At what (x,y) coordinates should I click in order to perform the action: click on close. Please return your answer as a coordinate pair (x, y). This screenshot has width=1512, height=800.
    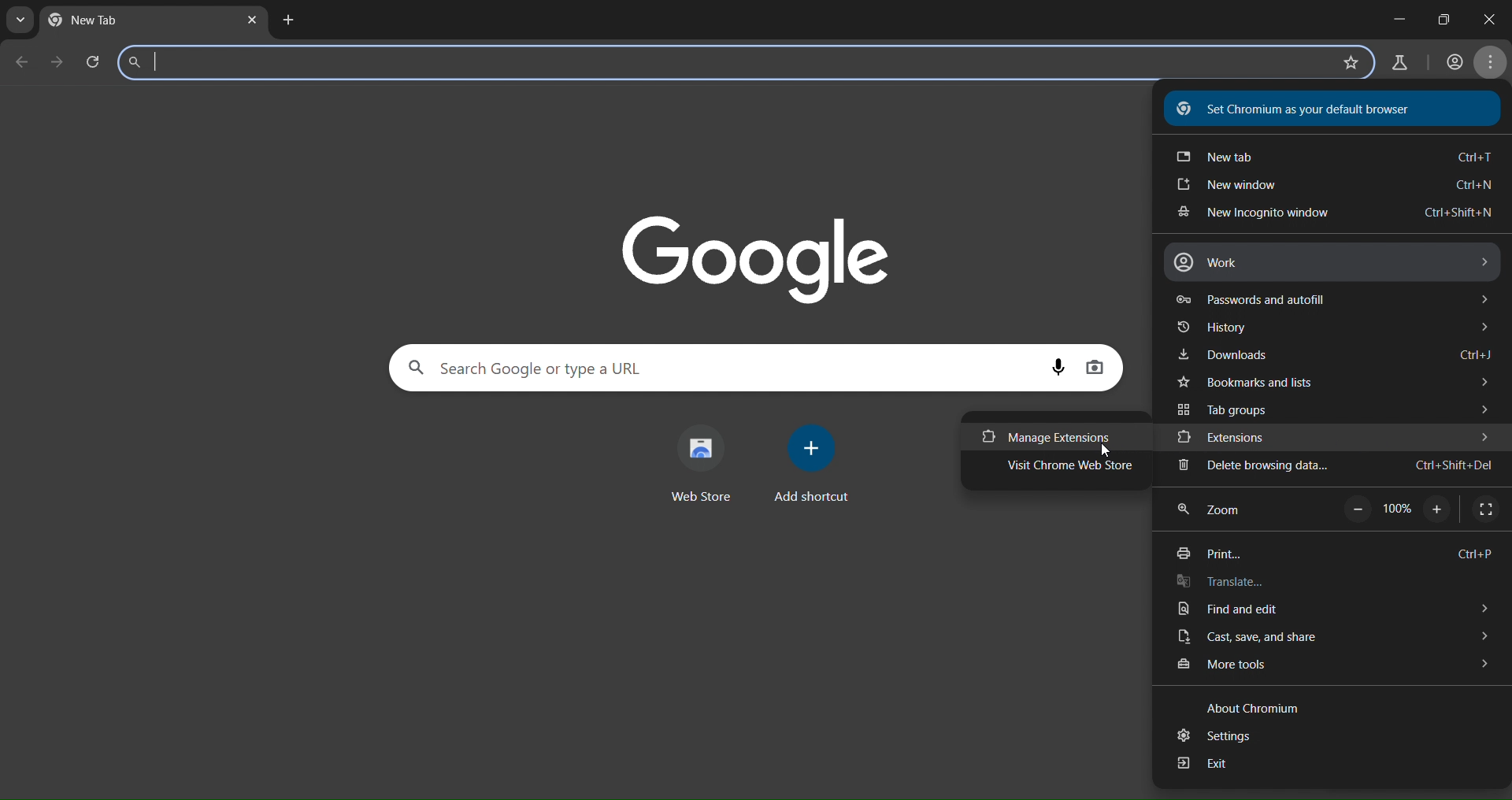
    Looking at the image, I should click on (1495, 14).